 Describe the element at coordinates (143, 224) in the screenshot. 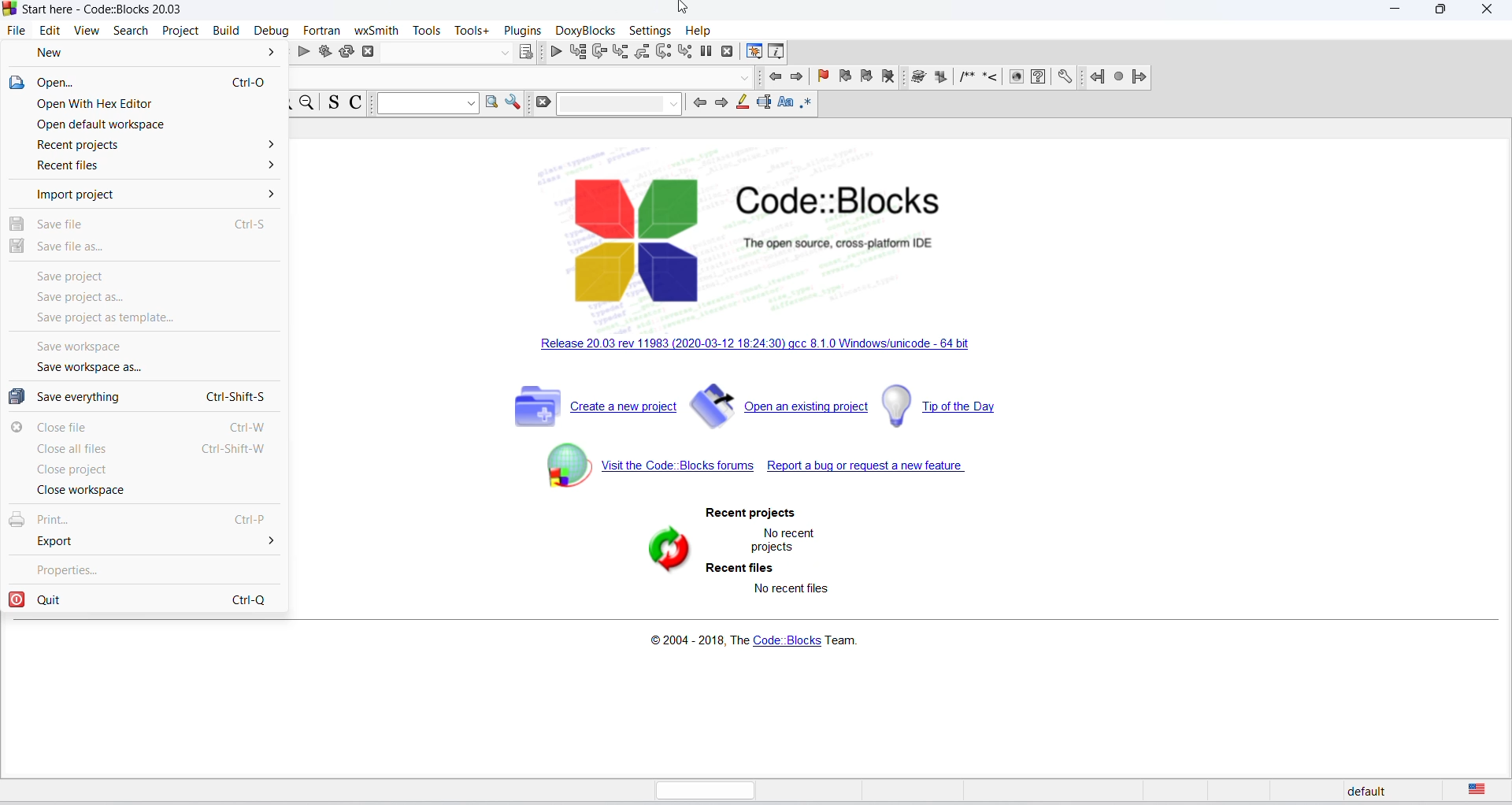

I see `save file` at that location.